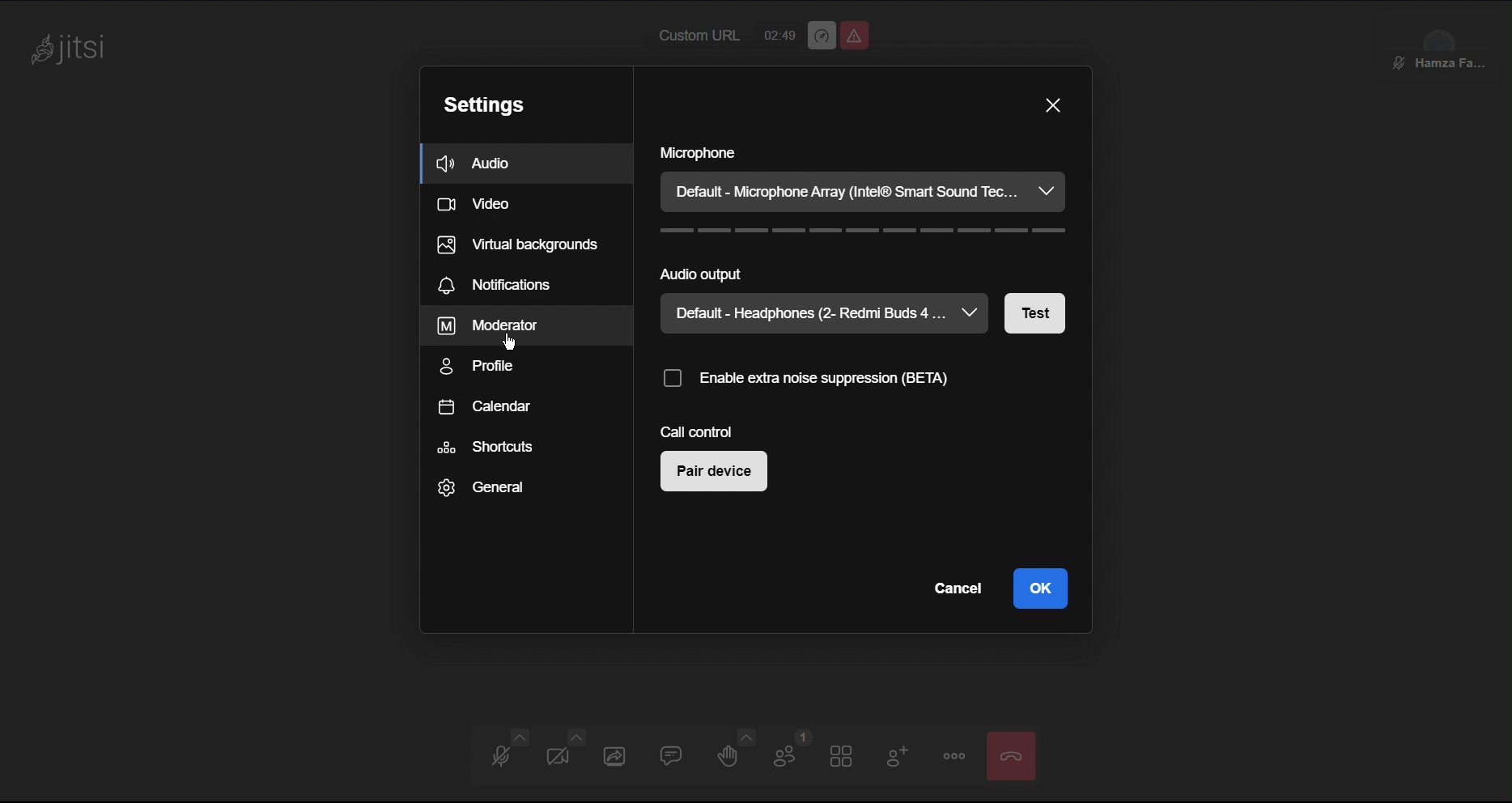 This screenshot has height=803, width=1512. Describe the element at coordinates (1038, 316) in the screenshot. I see `Test` at that location.